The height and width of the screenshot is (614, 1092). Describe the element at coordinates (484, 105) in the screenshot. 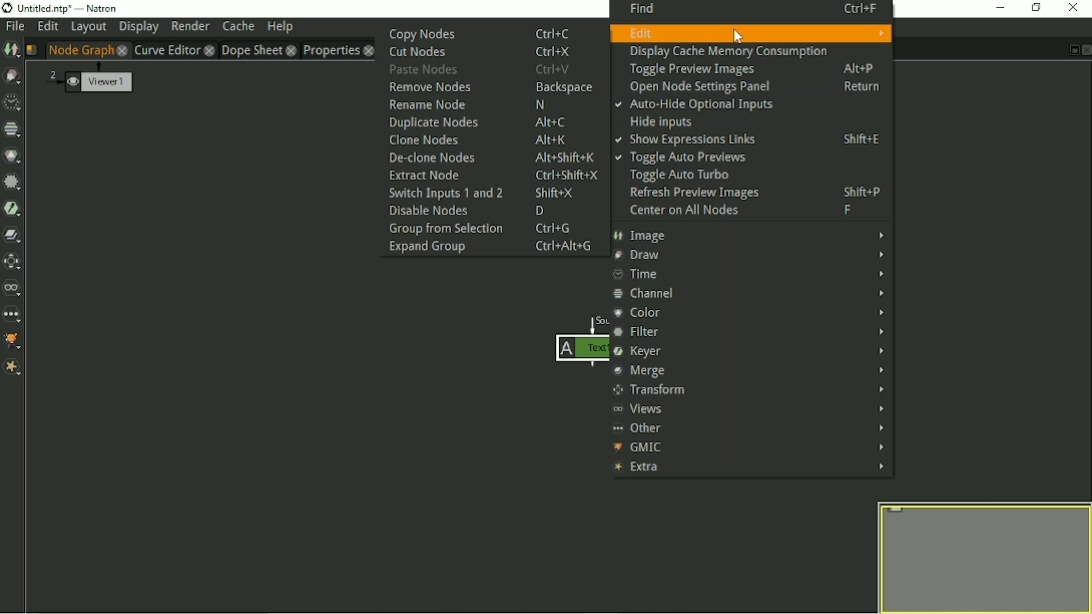

I see `Rename Node` at that location.